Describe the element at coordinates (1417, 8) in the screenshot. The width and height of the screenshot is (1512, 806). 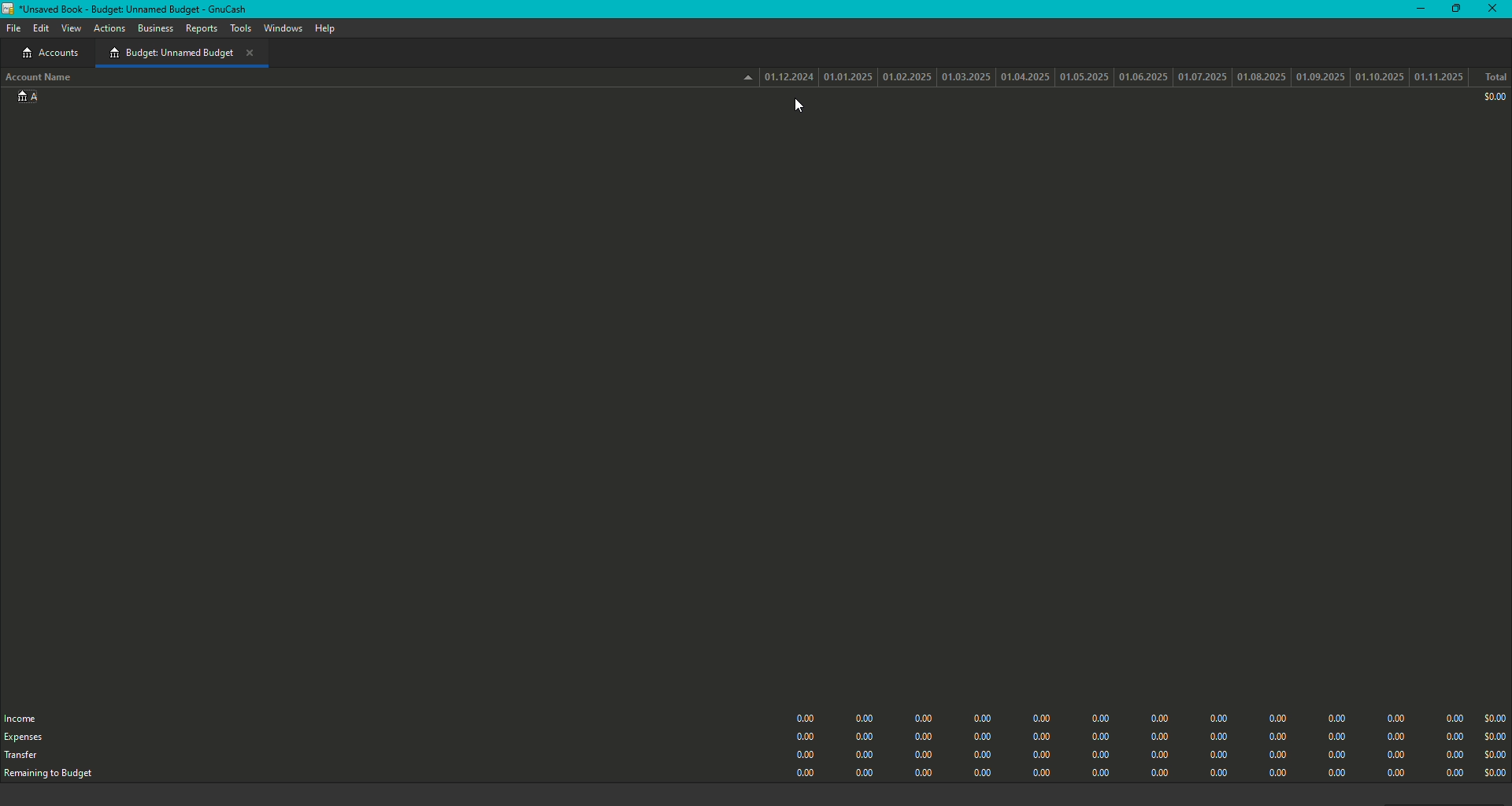
I see `Minimize` at that location.